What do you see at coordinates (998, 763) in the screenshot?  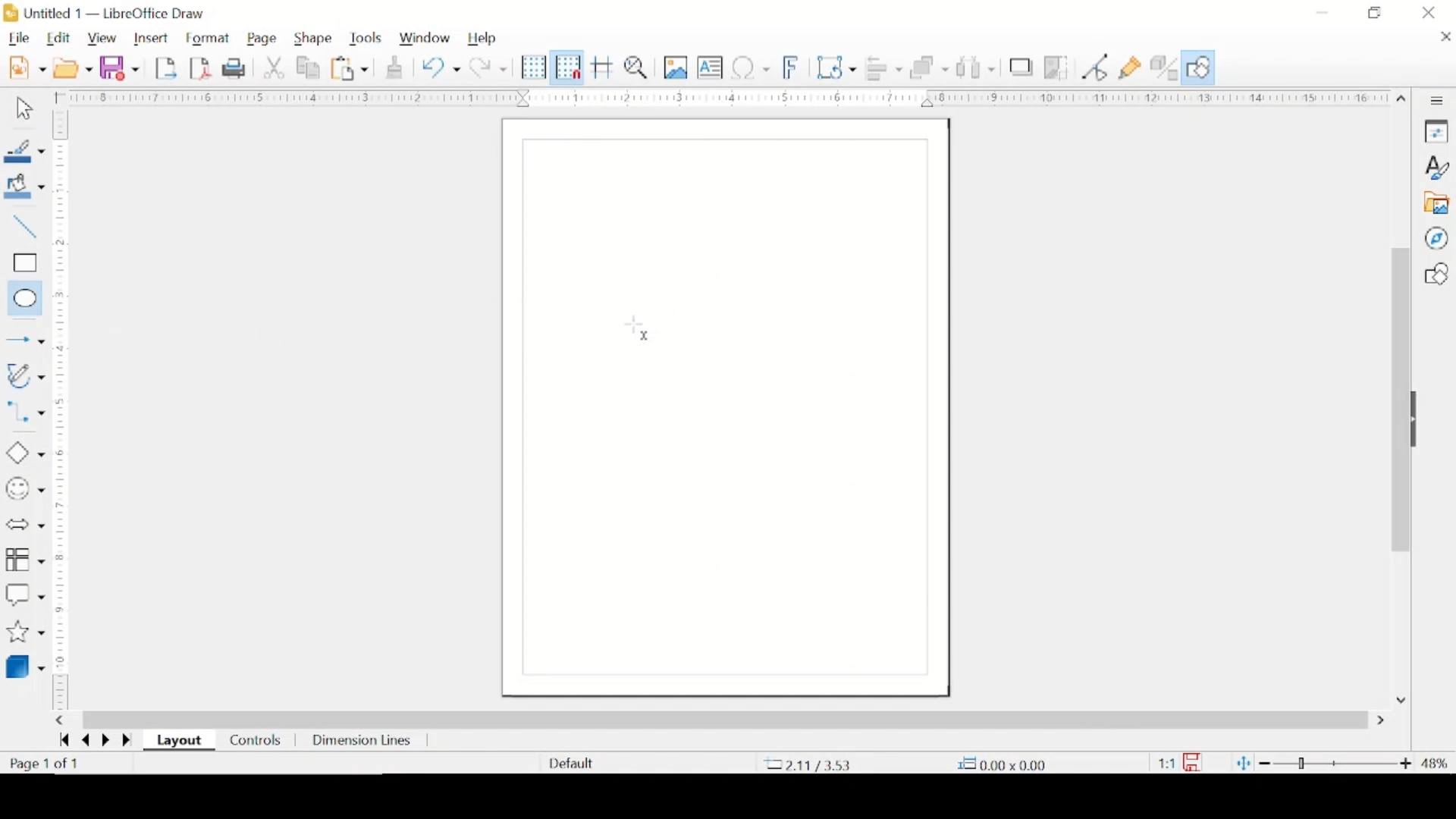 I see `coordinates` at bounding box center [998, 763].